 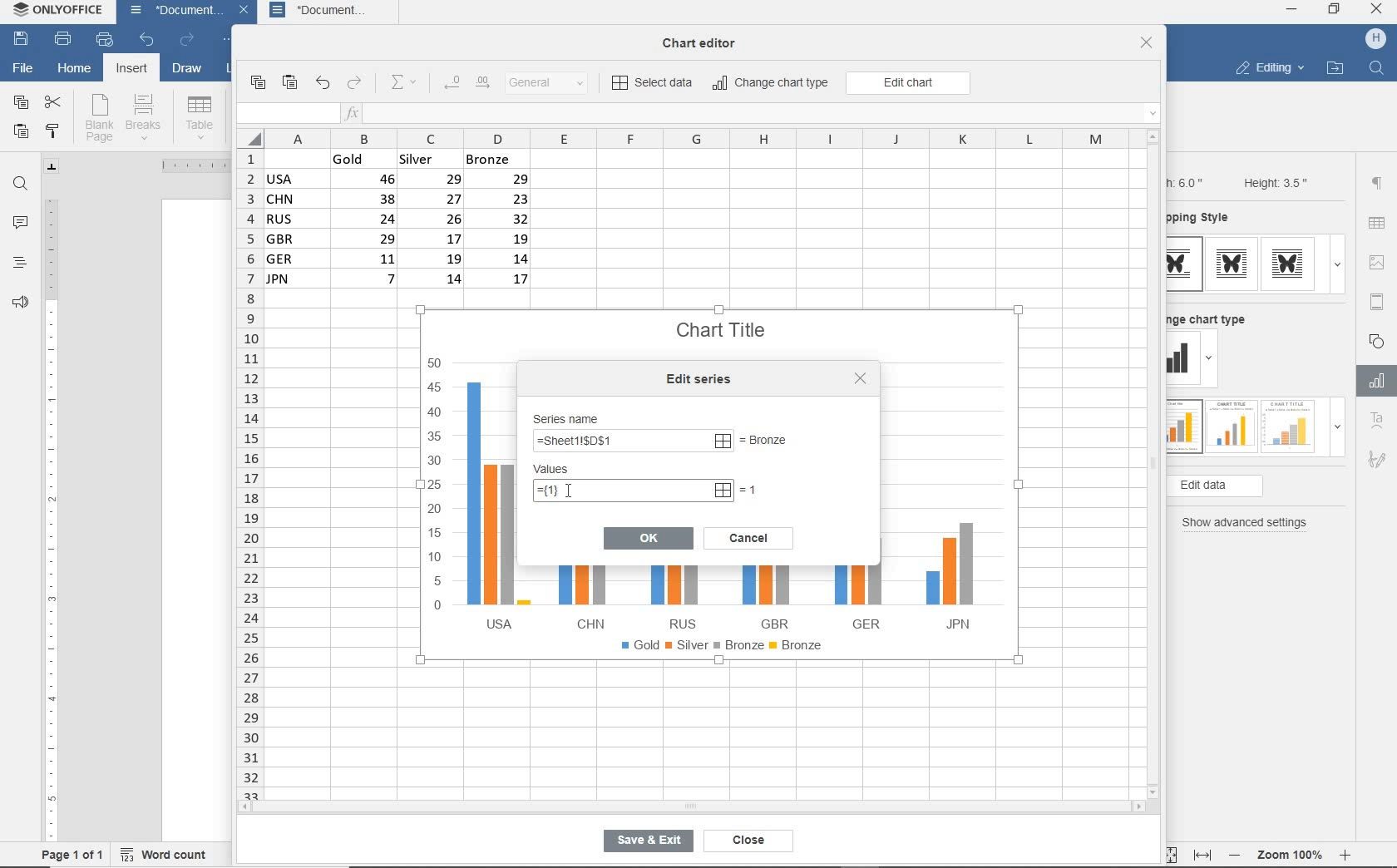 I want to click on zoom 100%, so click(x=1293, y=852).